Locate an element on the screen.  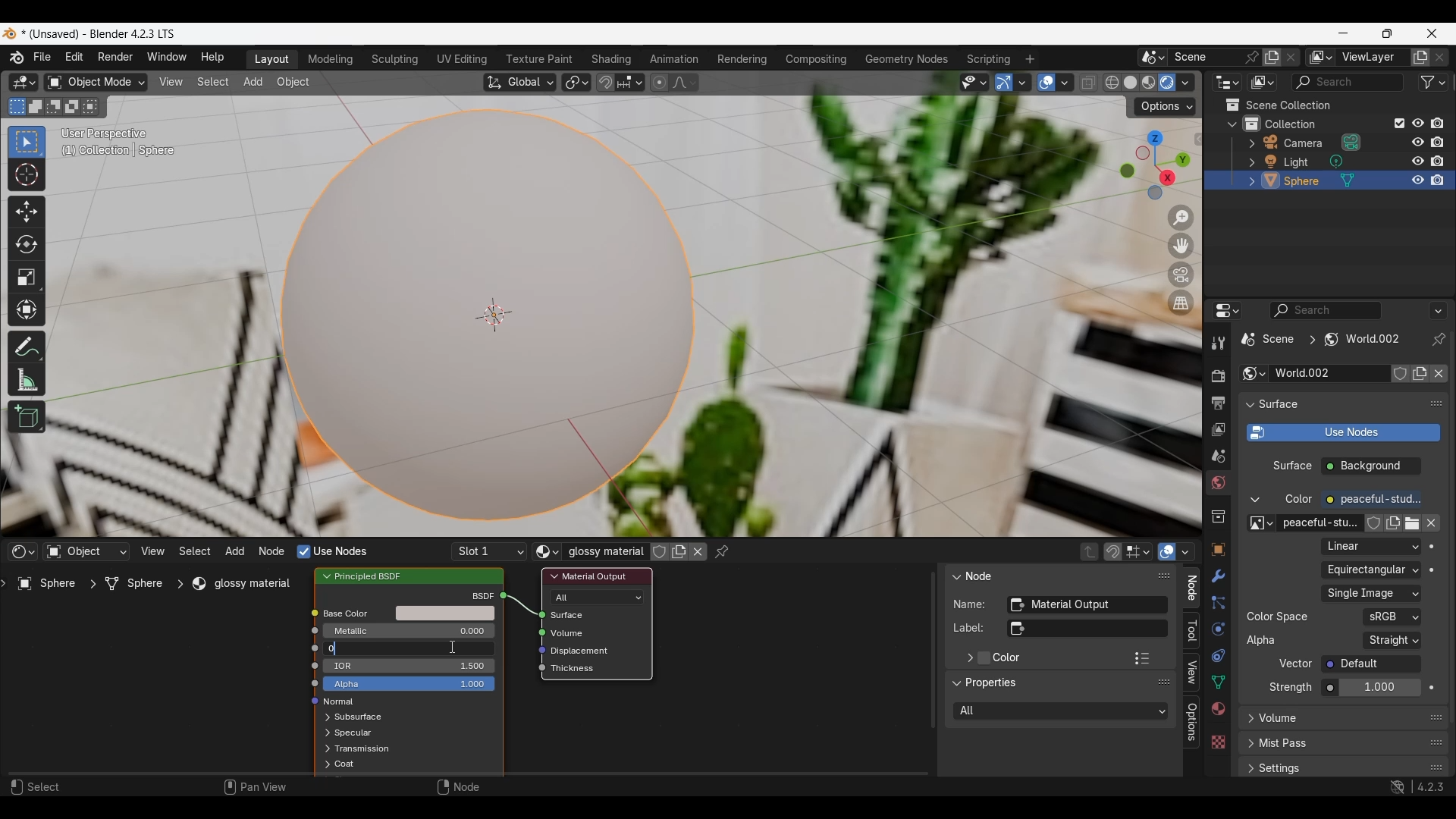
expand respective scenes is located at coordinates (322, 765).